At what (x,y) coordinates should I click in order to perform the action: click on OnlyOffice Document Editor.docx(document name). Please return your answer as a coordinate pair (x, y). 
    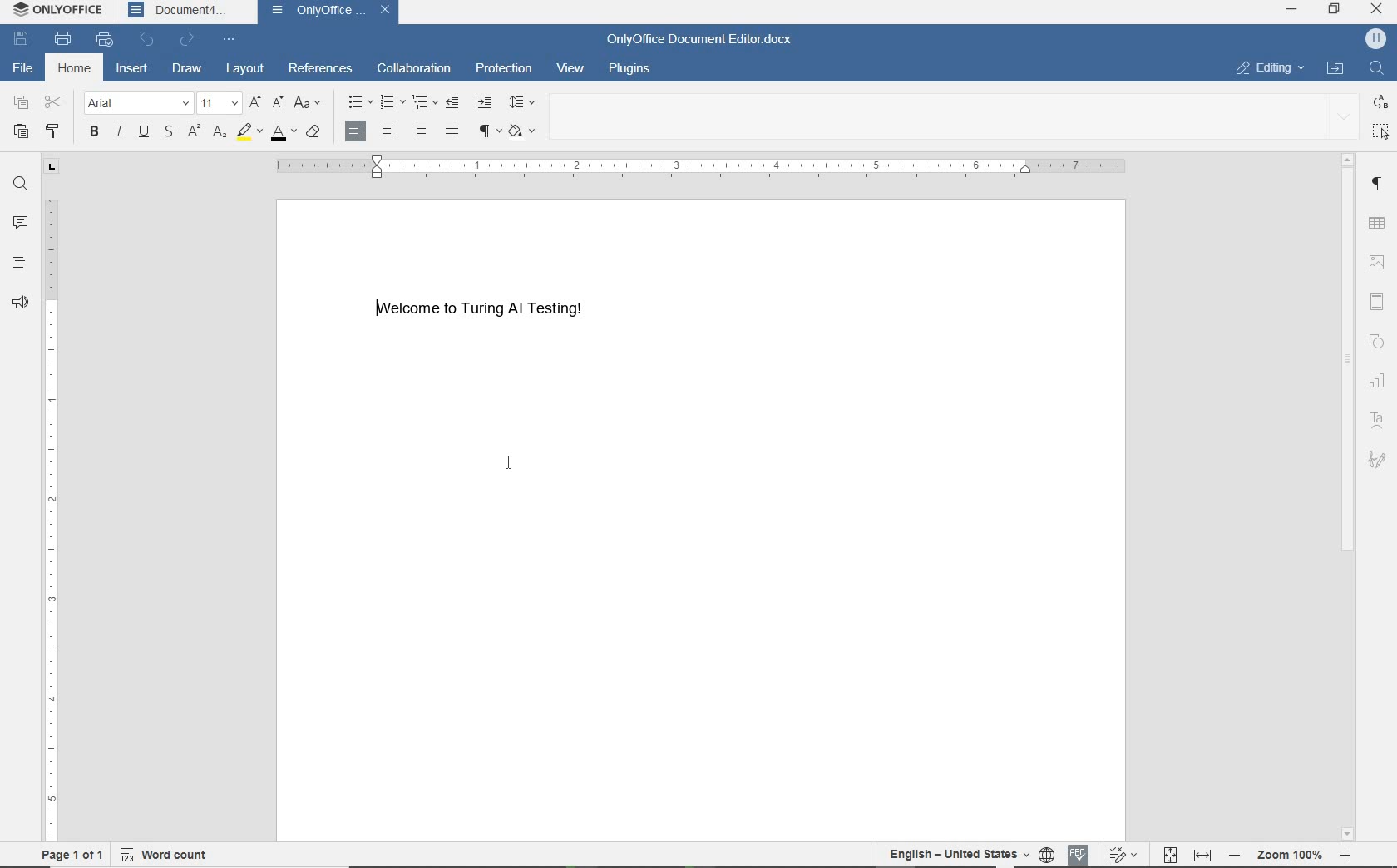
    Looking at the image, I should click on (702, 38).